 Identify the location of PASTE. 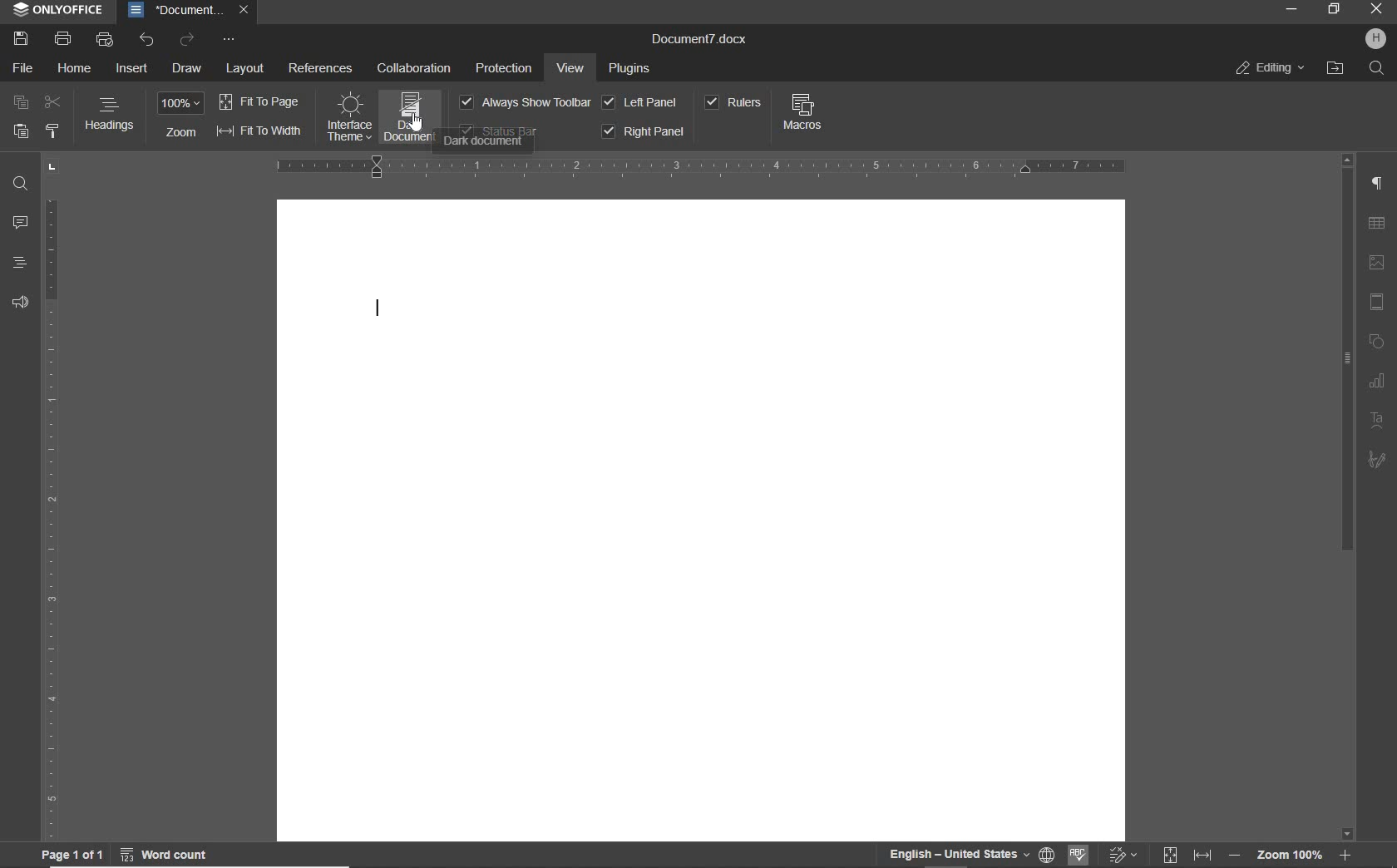
(20, 131).